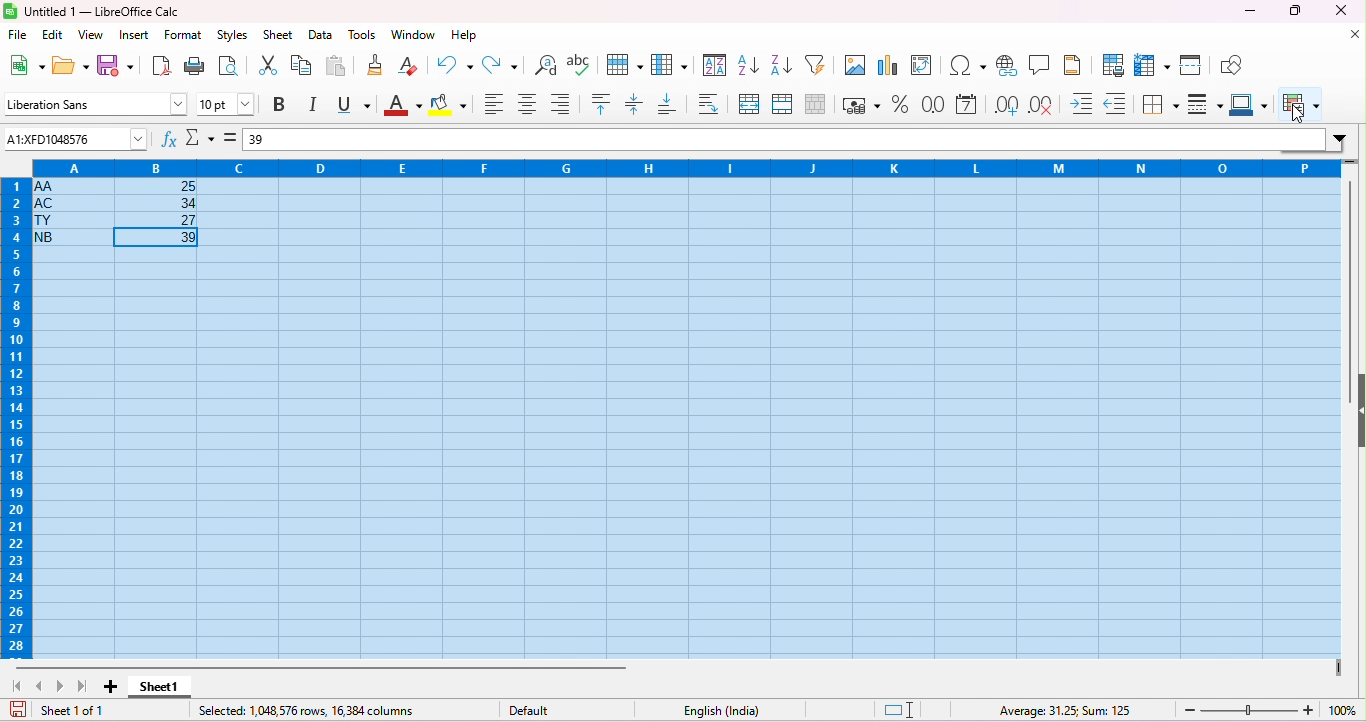 The width and height of the screenshot is (1366, 722). Describe the element at coordinates (715, 65) in the screenshot. I see `sort` at that location.